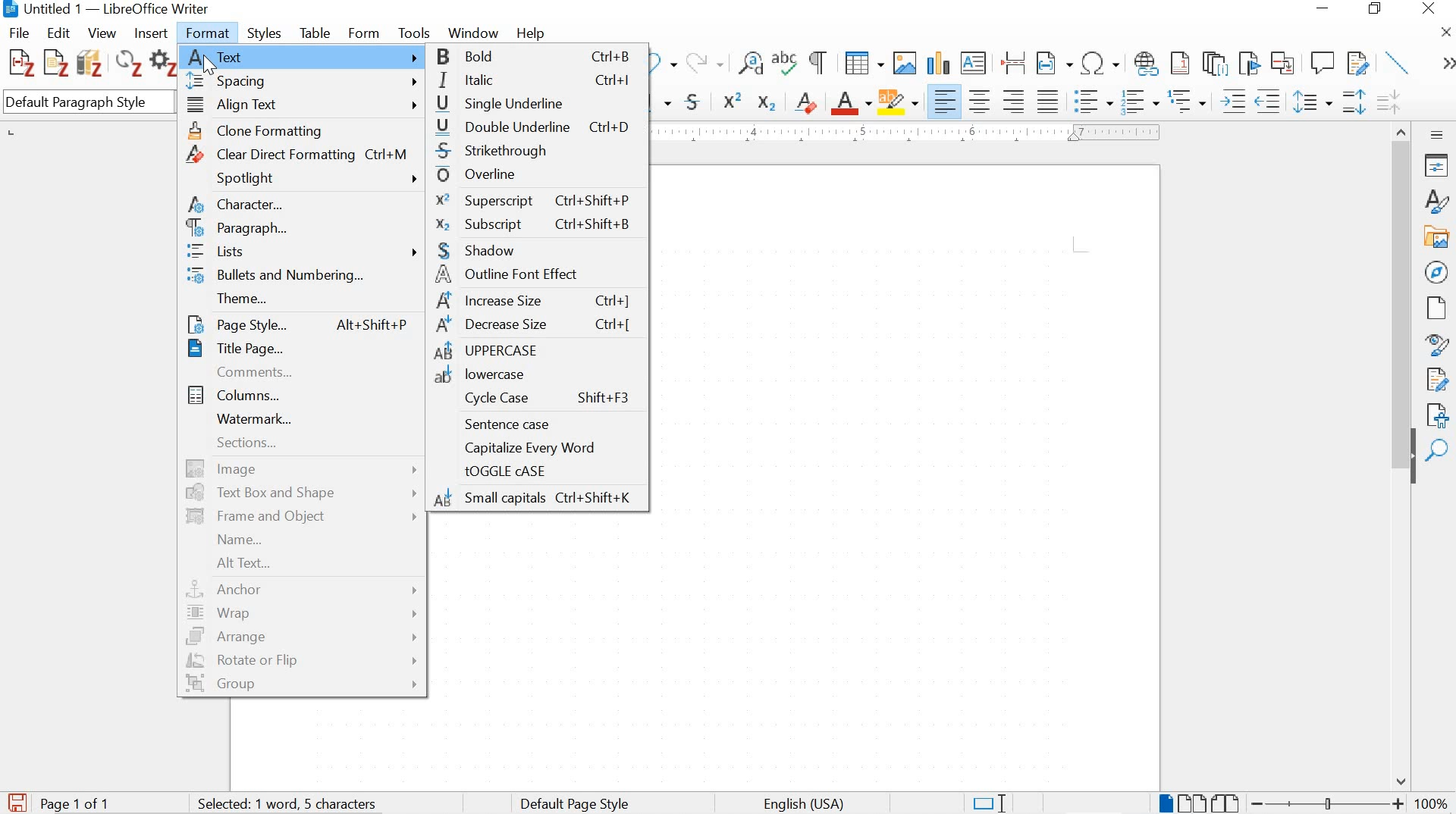 This screenshot has height=814, width=1456. I want to click on columns, so click(300, 394).